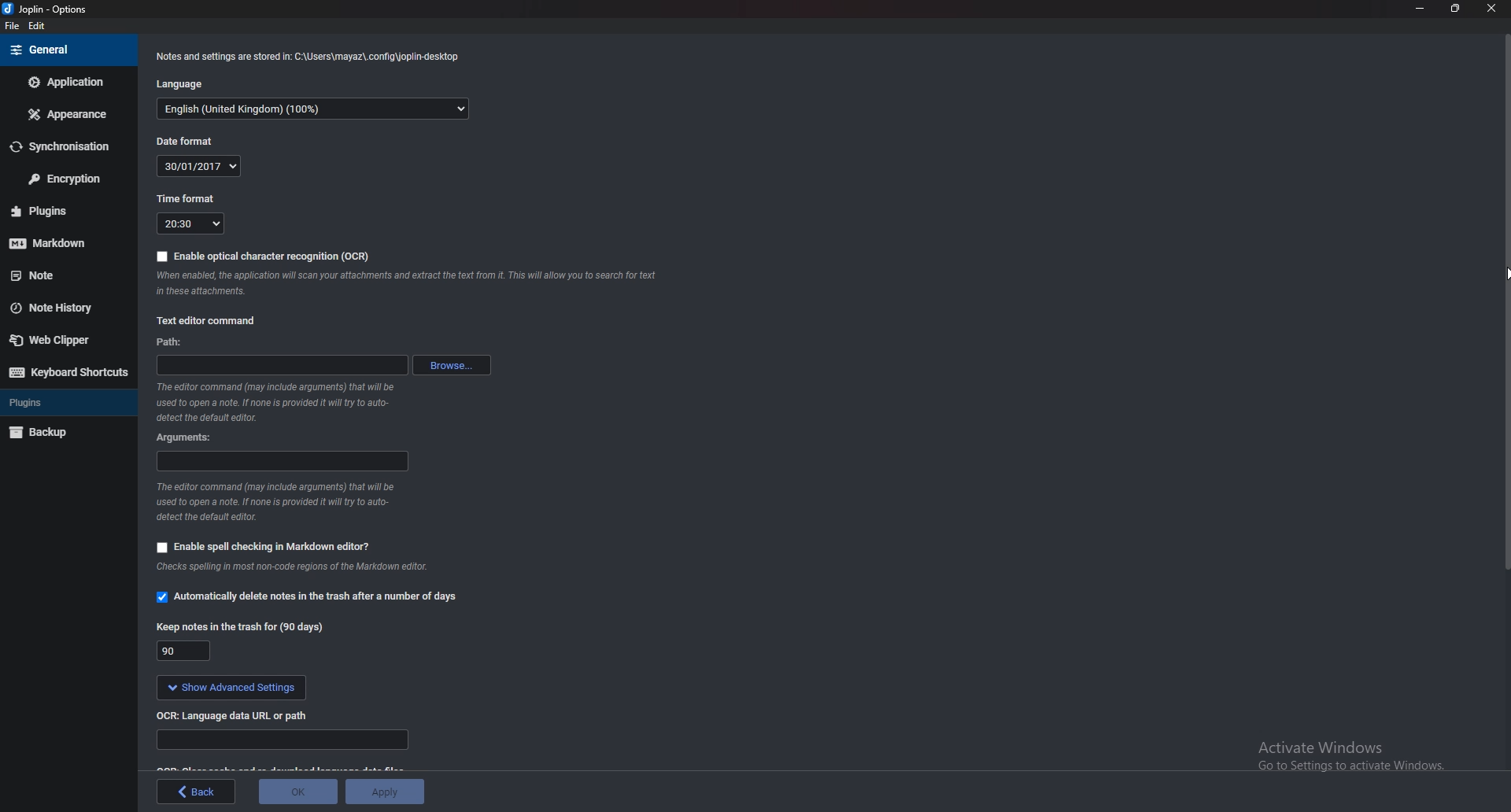 This screenshot has height=812, width=1511. I want to click on Scroll bar, so click(1504, 306).